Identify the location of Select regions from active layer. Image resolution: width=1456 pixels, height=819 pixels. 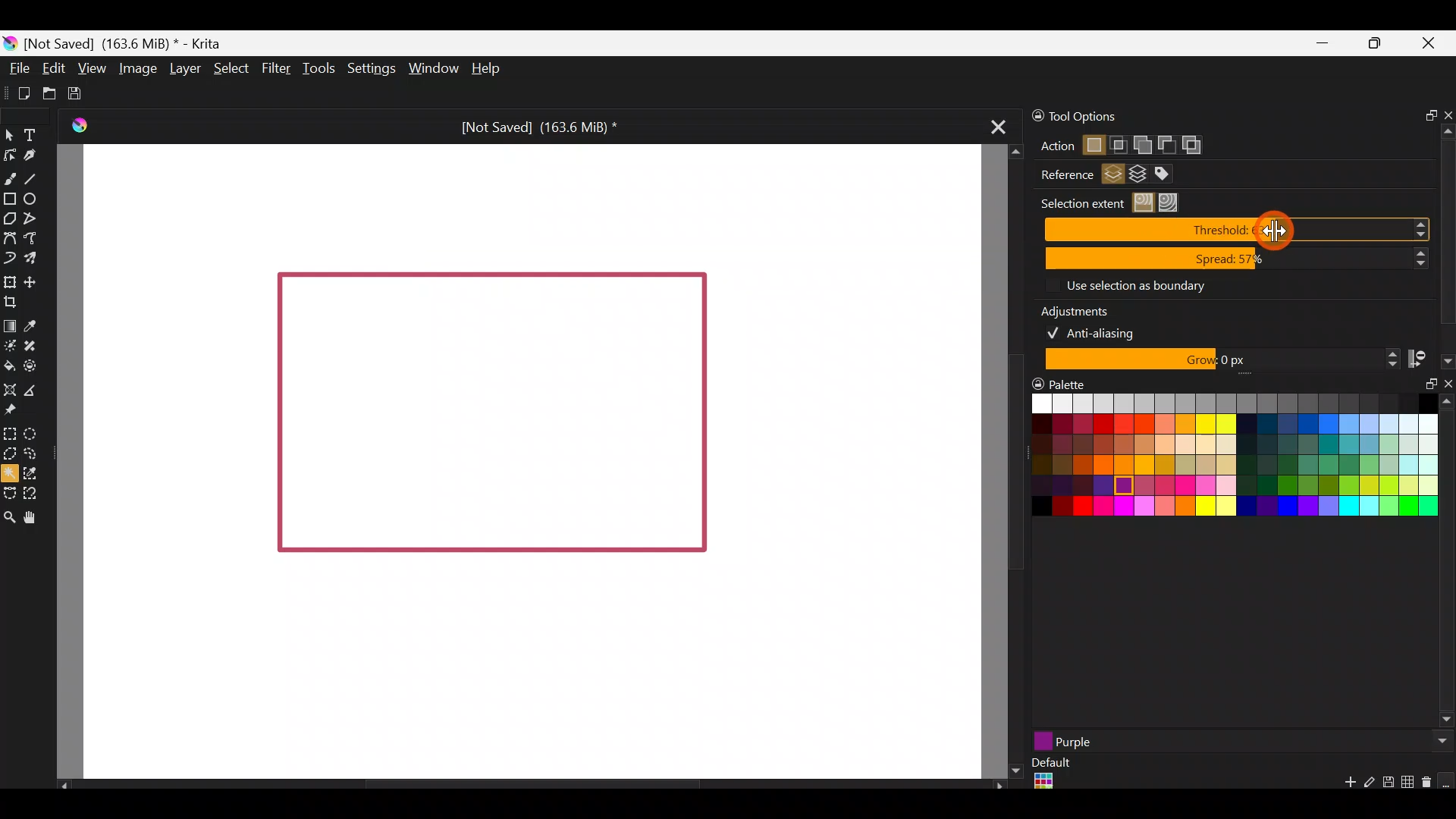
(1113, 176).